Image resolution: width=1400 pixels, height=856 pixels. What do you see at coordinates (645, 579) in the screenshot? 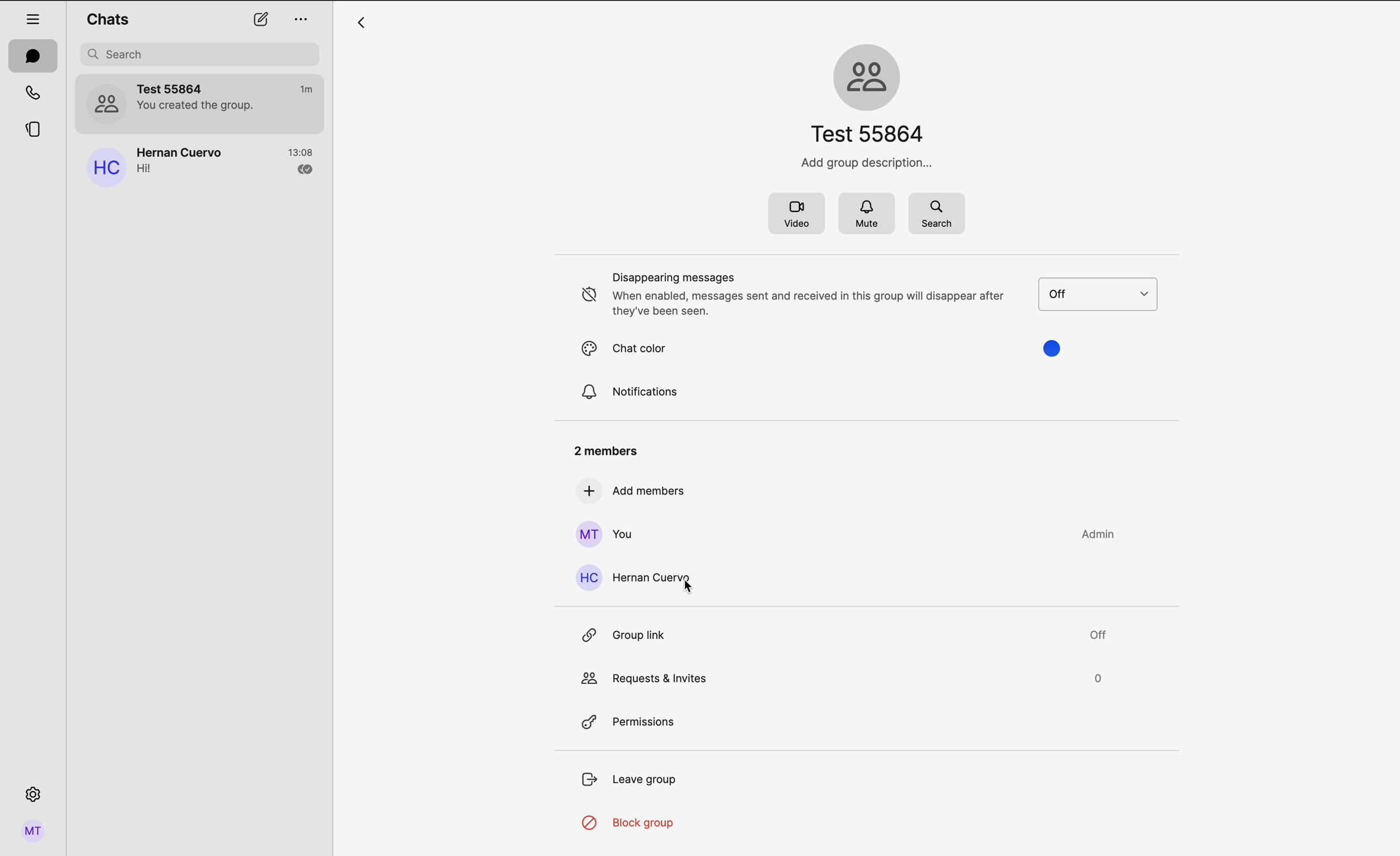
I see `click on Hernan Cuervo contact` at bounding box center [645, 579].